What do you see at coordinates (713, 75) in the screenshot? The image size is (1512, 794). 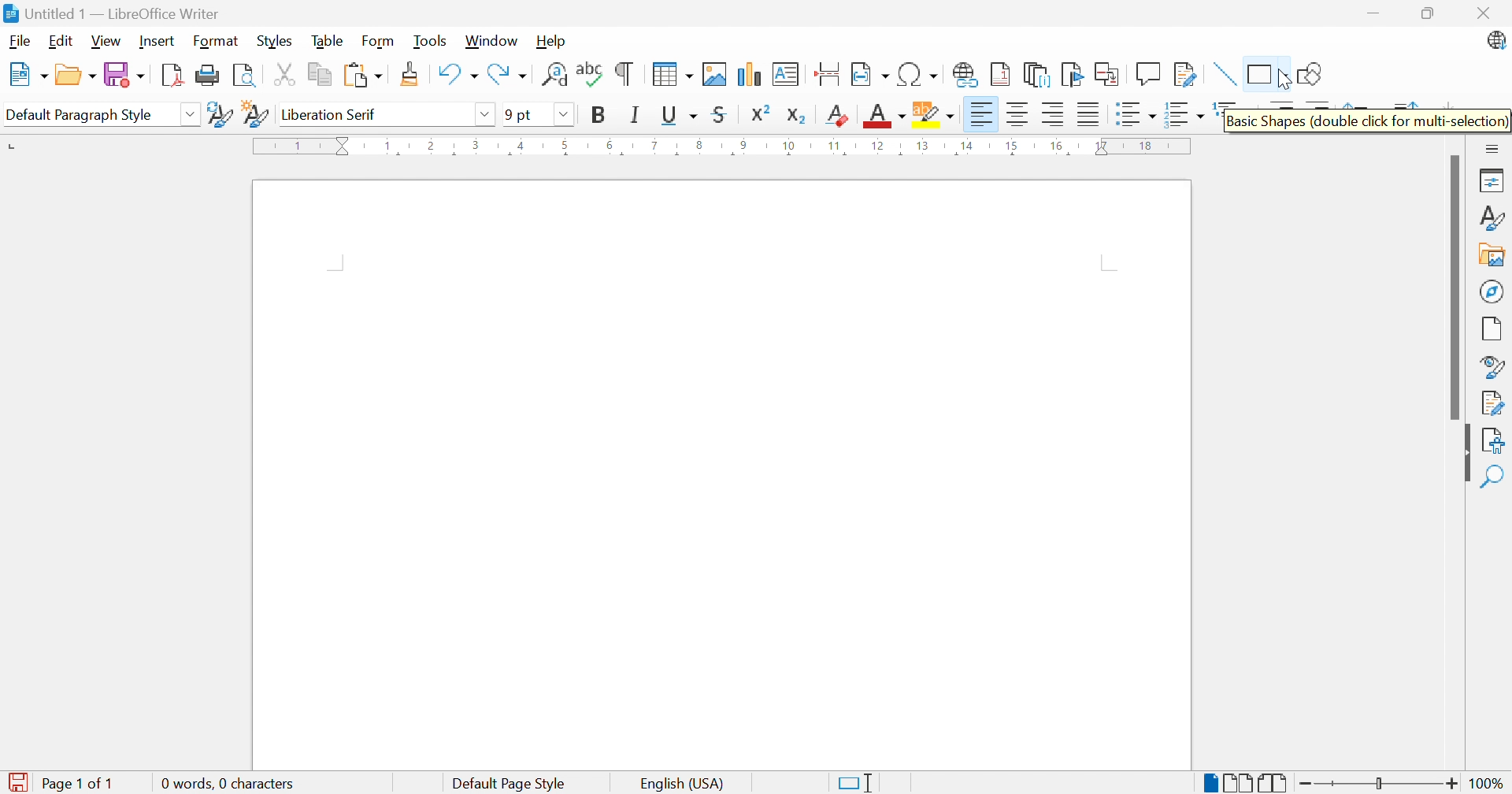 I see `Insert image` at bounding box center [713, 75].